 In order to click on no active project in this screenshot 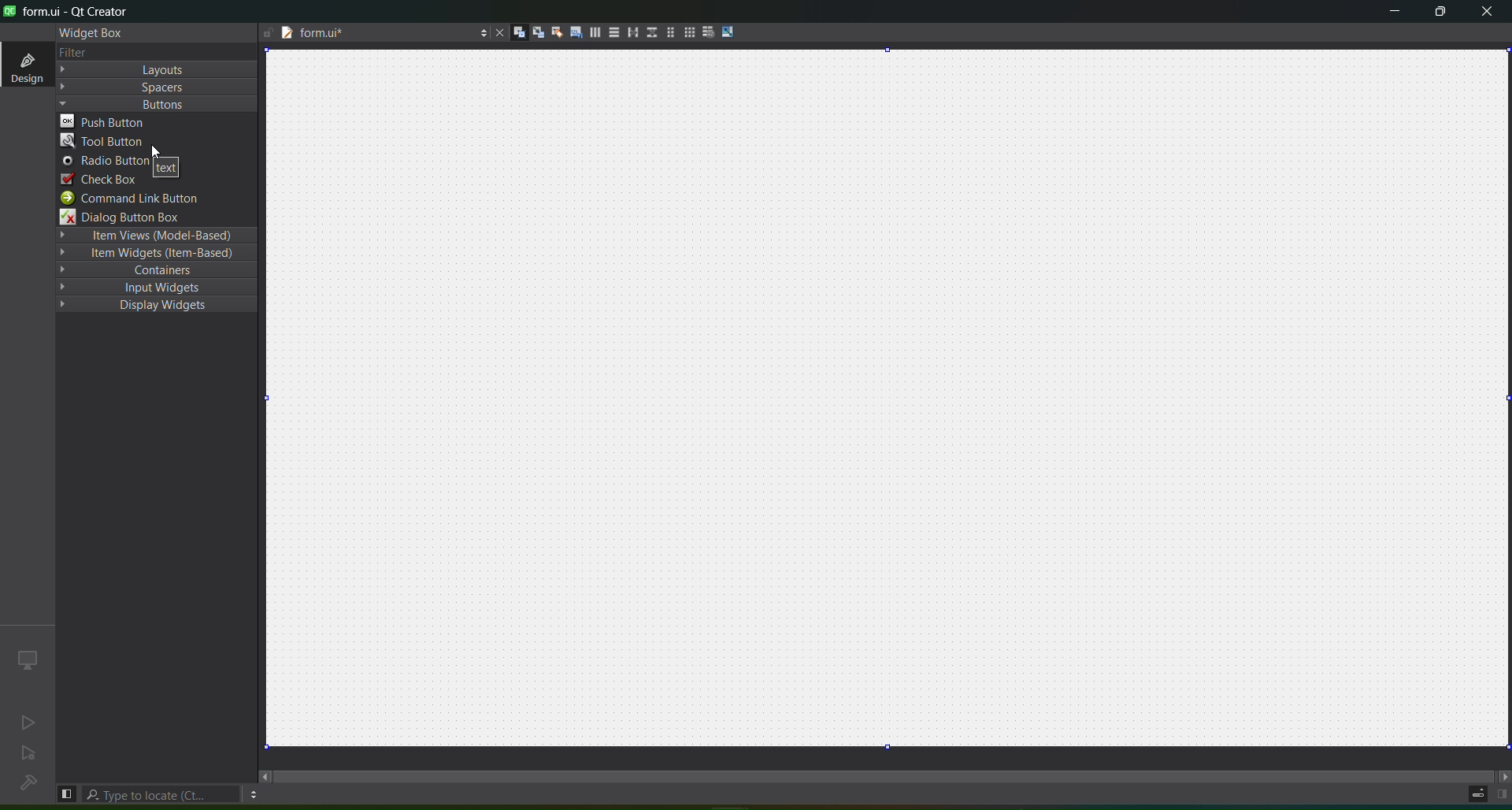, I will do `click(29, 754)`.